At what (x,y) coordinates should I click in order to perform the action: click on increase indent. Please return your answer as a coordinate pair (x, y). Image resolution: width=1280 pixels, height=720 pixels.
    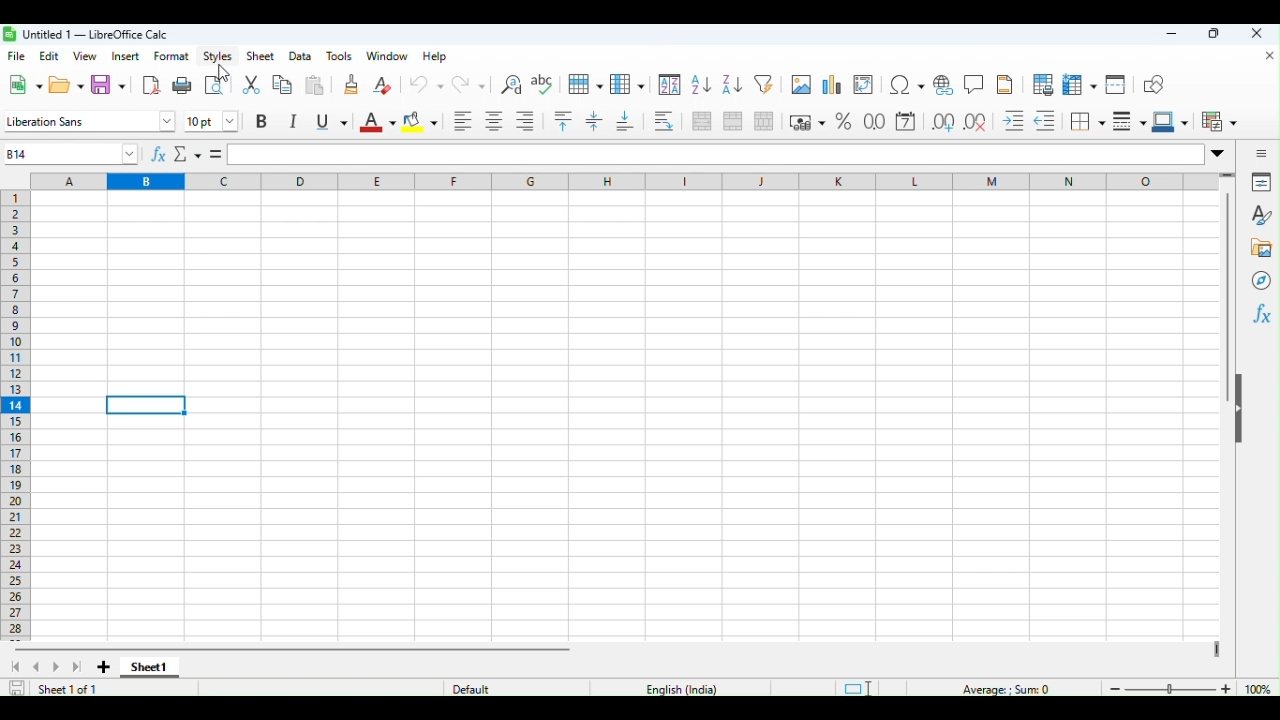
    Looking at the image, I should click on (1008, 121).